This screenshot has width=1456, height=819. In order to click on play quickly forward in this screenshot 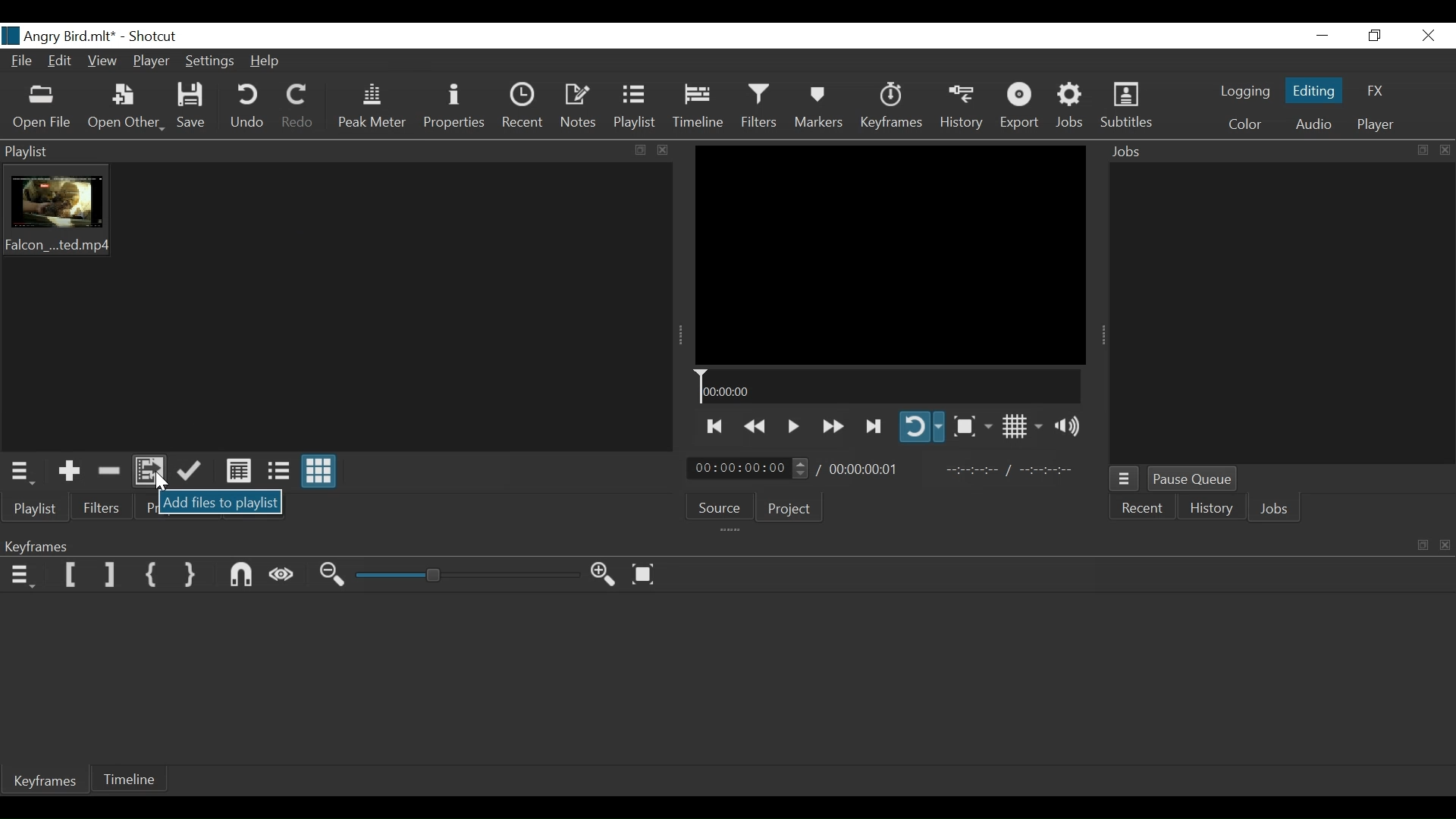, I will do `click(835, 425)`.